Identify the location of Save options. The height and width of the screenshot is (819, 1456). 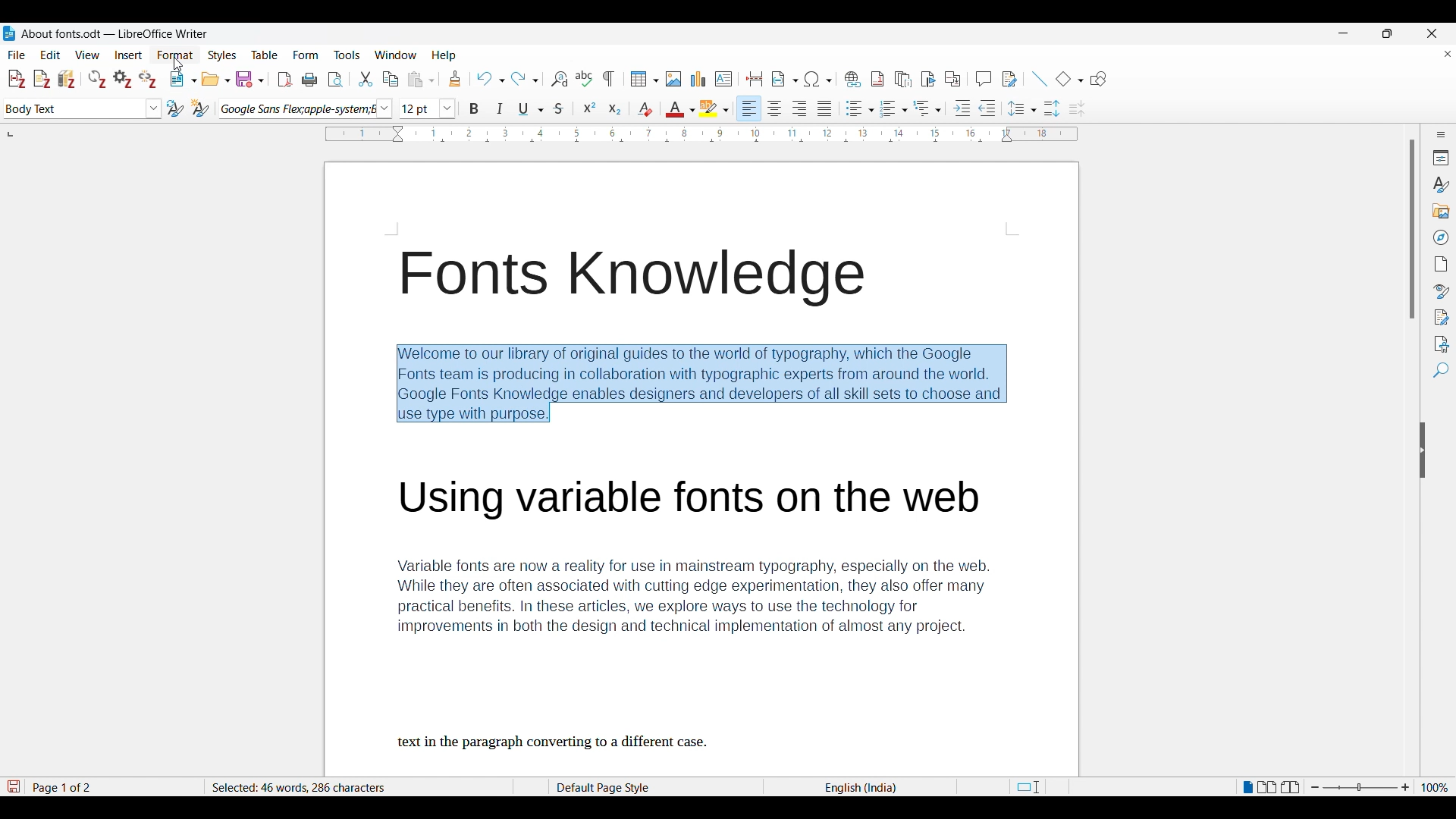
(249, 80).